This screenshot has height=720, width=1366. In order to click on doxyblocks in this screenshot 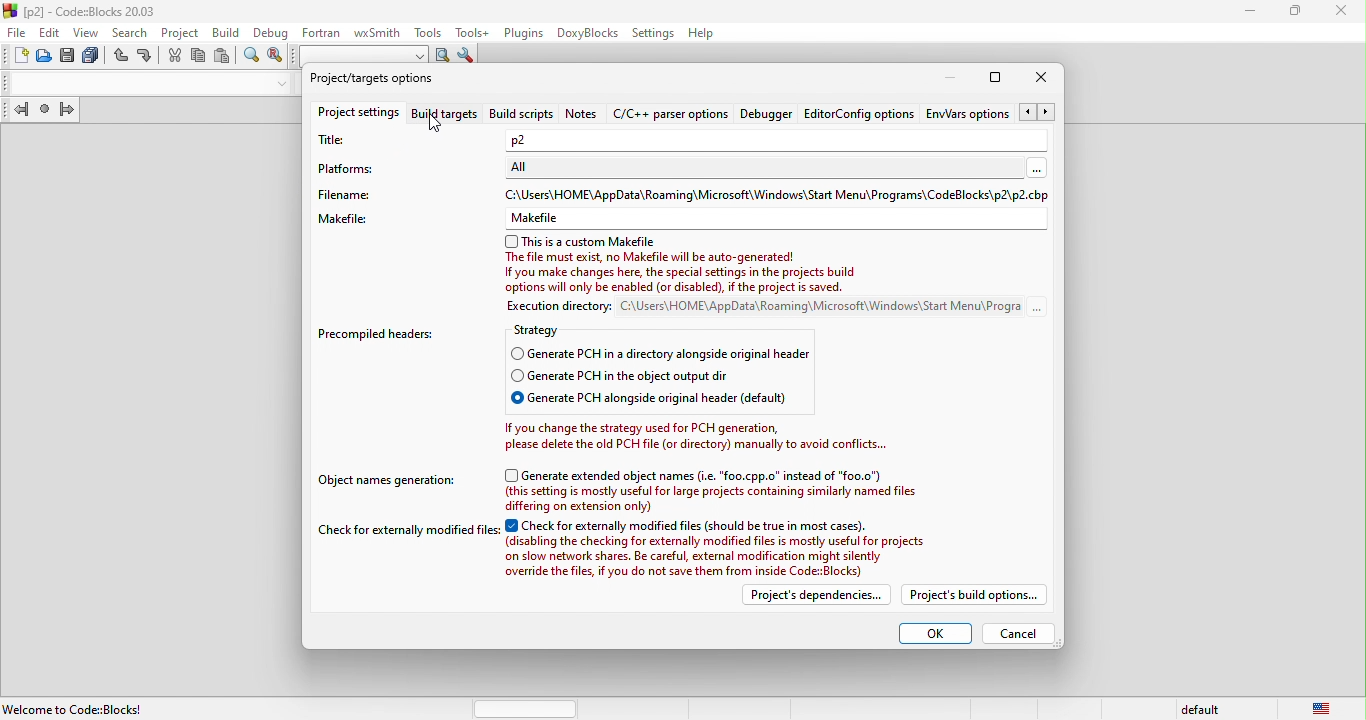, I will do `click(584, 33)`.